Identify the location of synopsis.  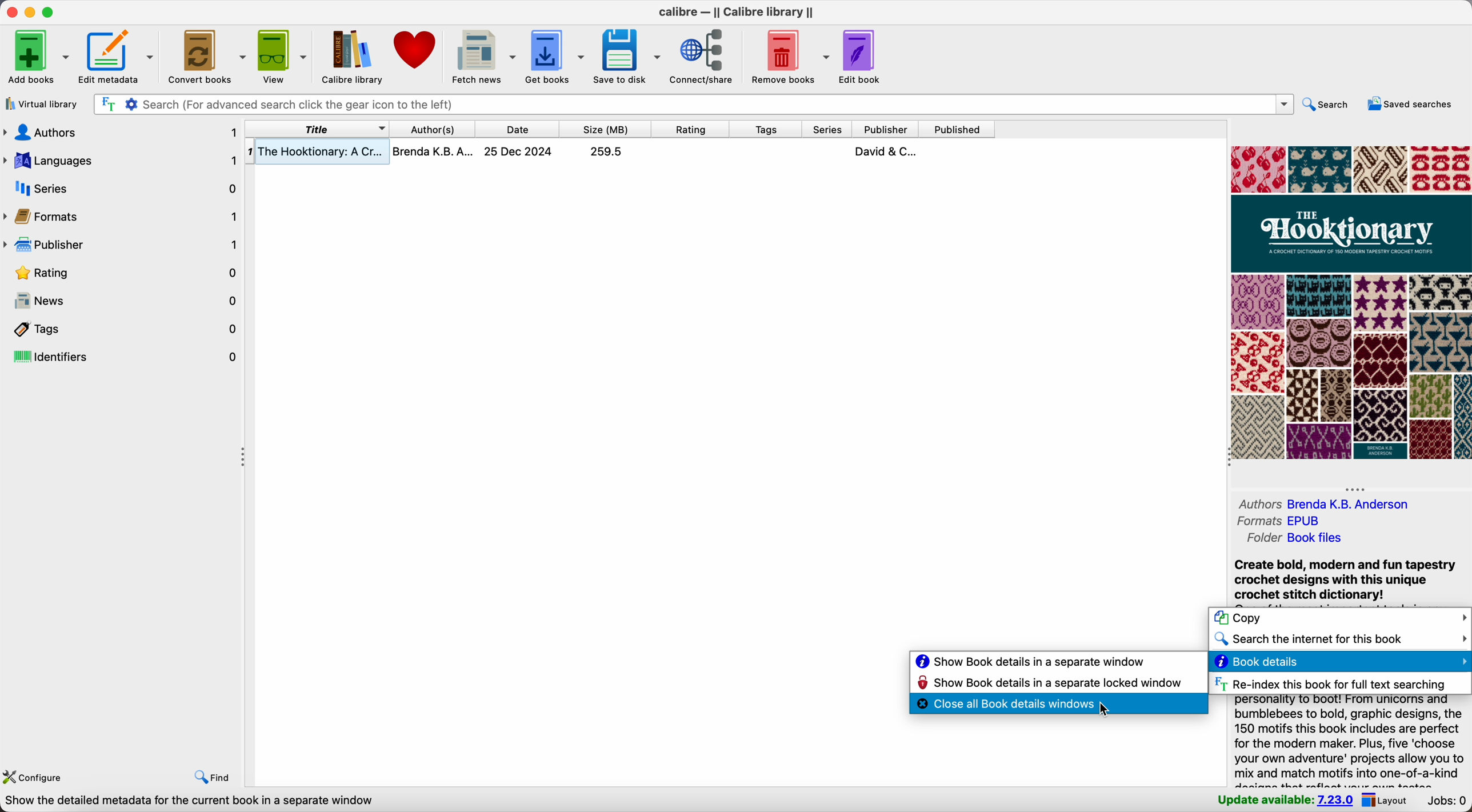
(1343, 581).